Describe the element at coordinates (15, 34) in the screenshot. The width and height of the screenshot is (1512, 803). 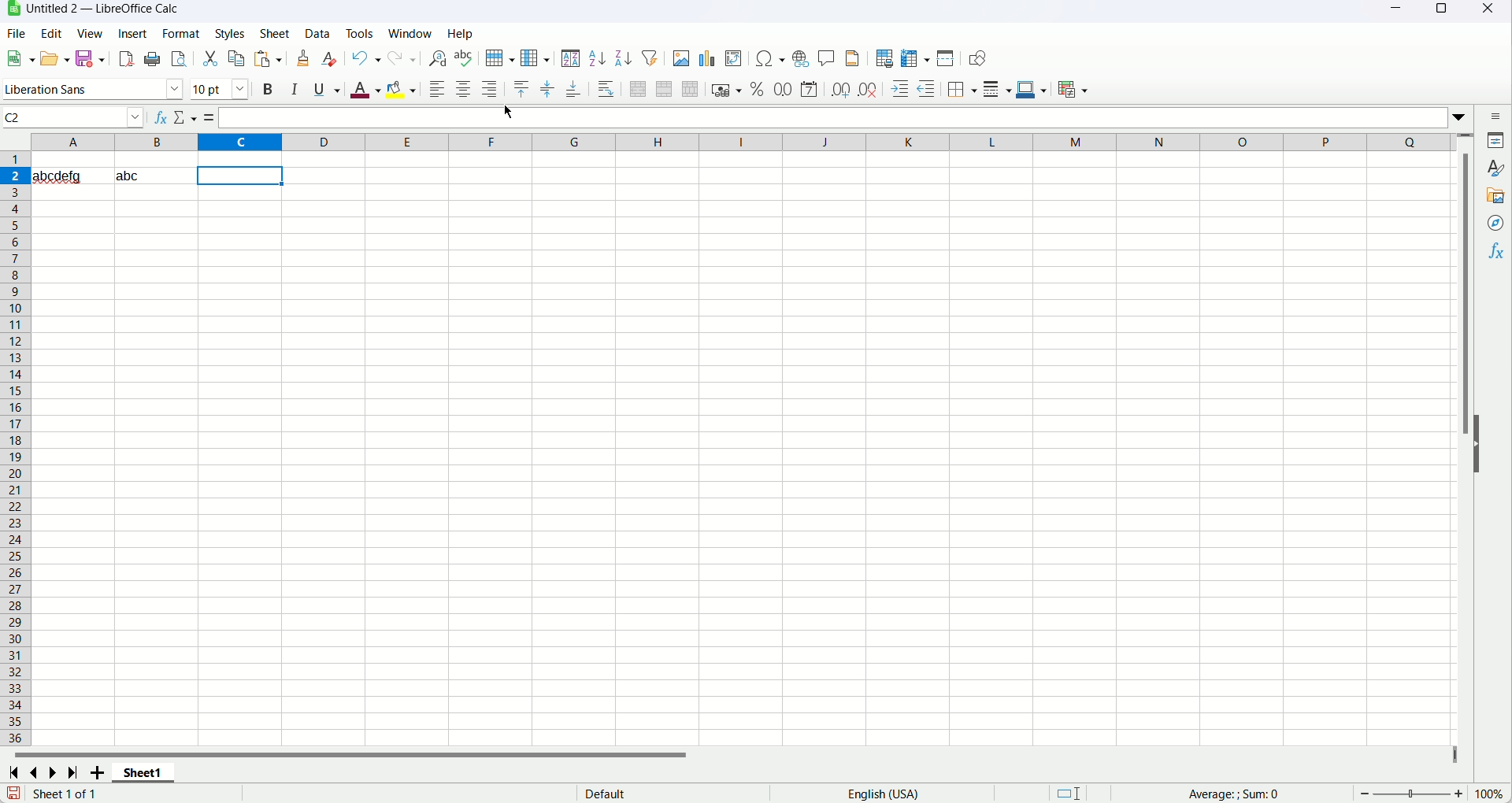
I see `file` at that location.